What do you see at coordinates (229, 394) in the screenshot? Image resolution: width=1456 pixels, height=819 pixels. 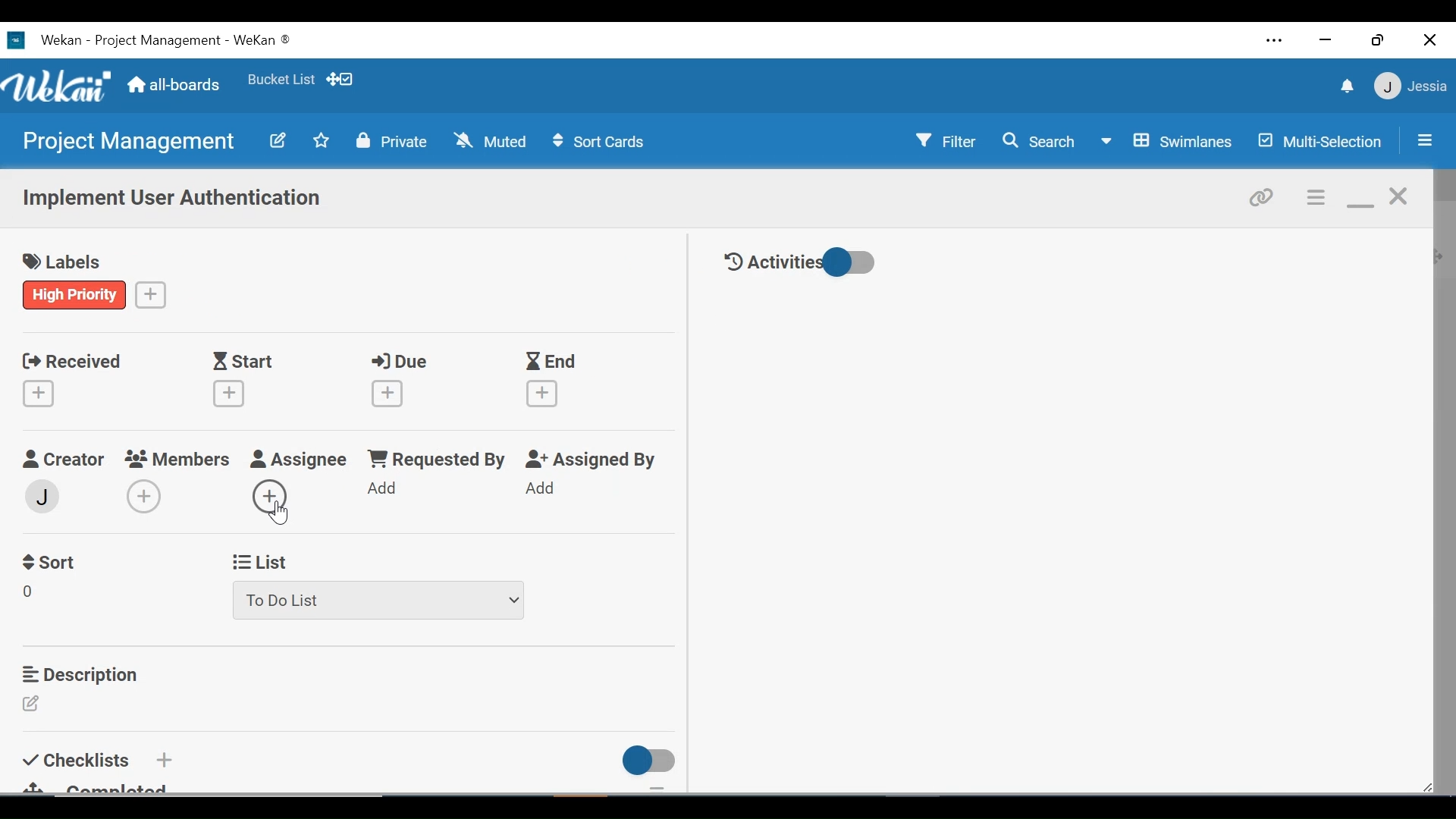 I see `Create Start Date` at bounding box center [229, 394].